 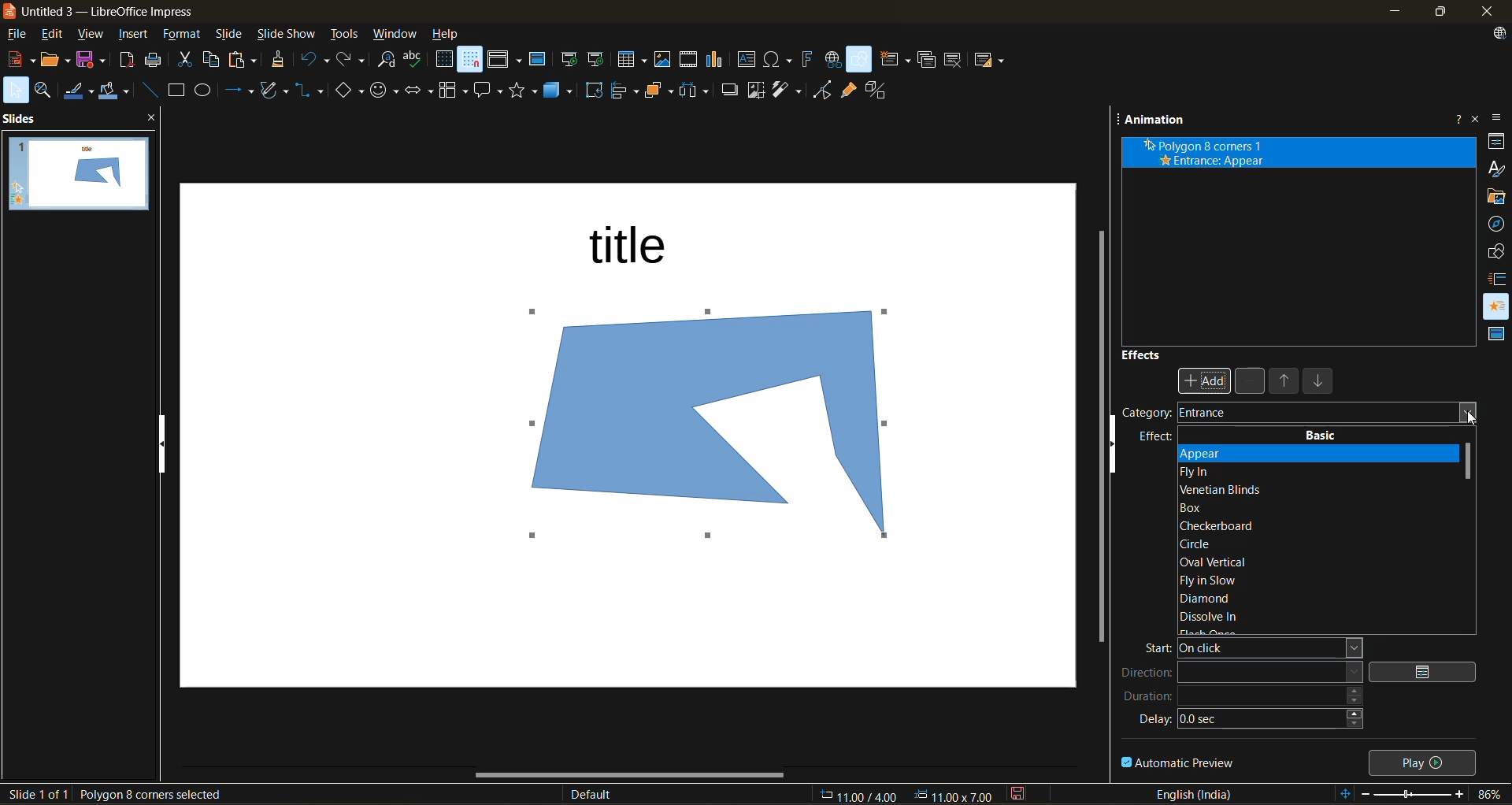 What do you see at coordinates (1155, 121) in the screenshot?
I see `animation` at bounding box center [1155, 121].